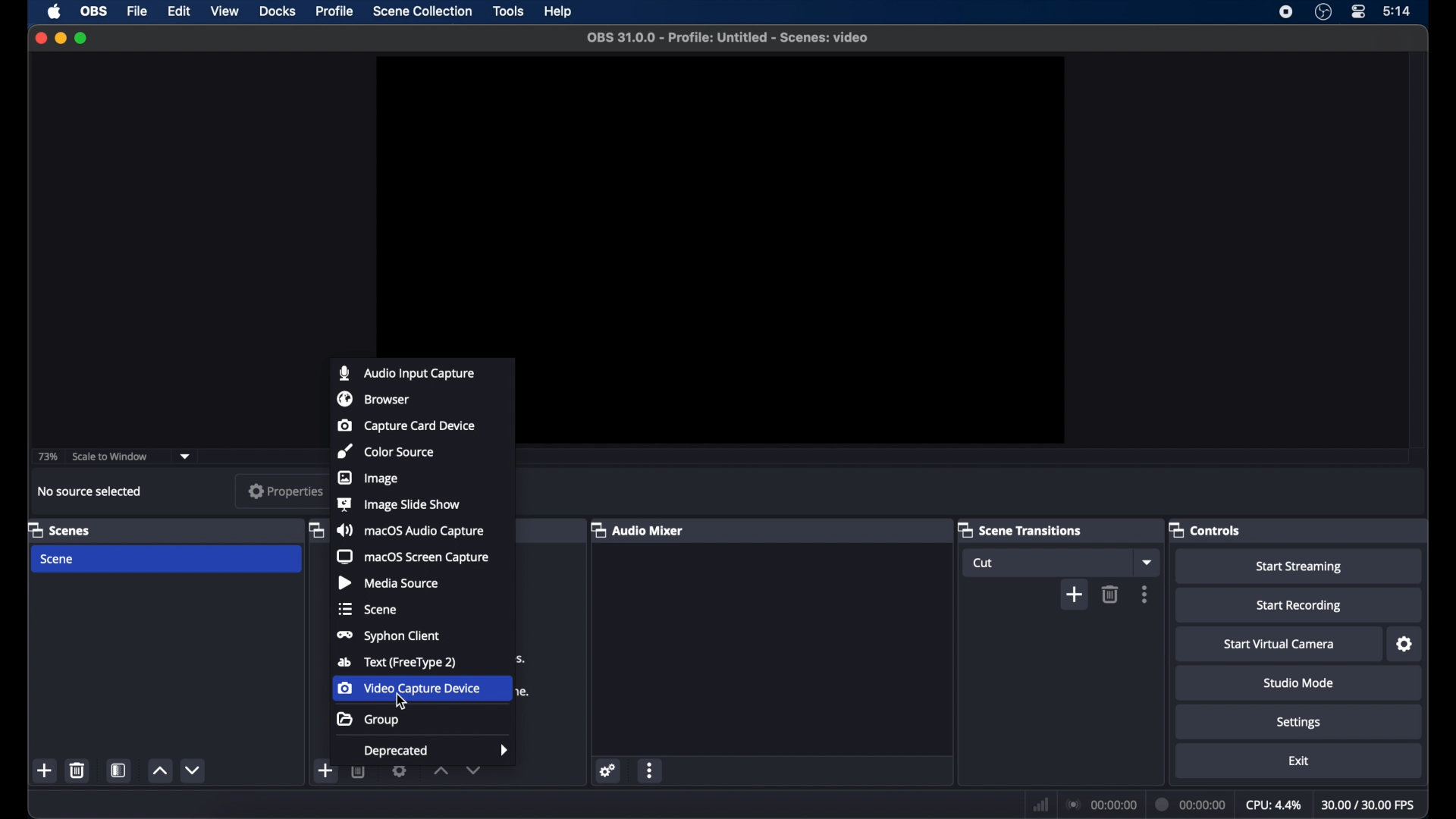 The image size is (1456, 819). What do you see at coordinates (1298, 722) in the screenshot?
I see `settings` at bounding box center [1298, 722].